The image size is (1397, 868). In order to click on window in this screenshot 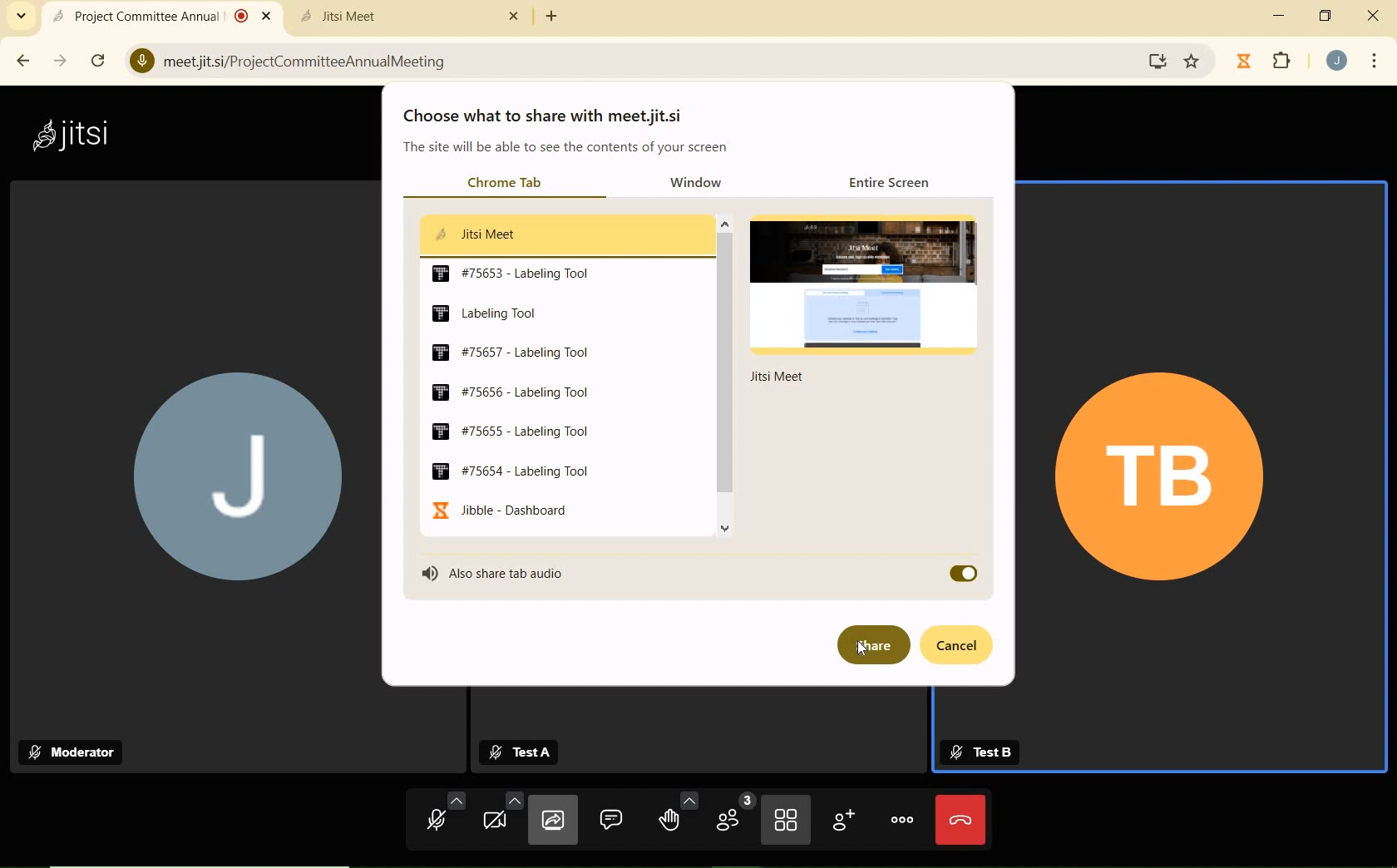, I will do `click(700, 182)`.